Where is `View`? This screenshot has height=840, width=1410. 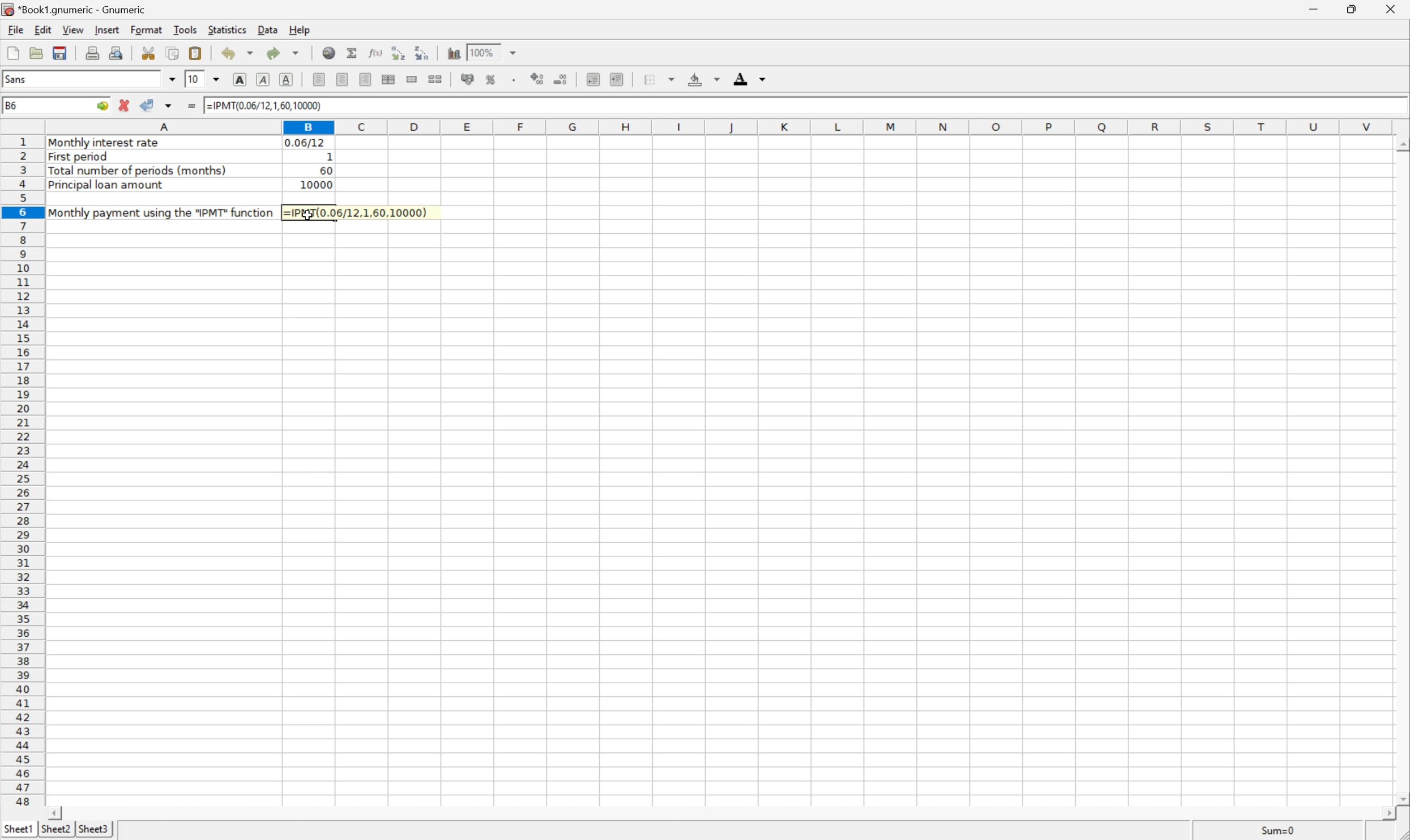 View is located at coordinates (71, 29).